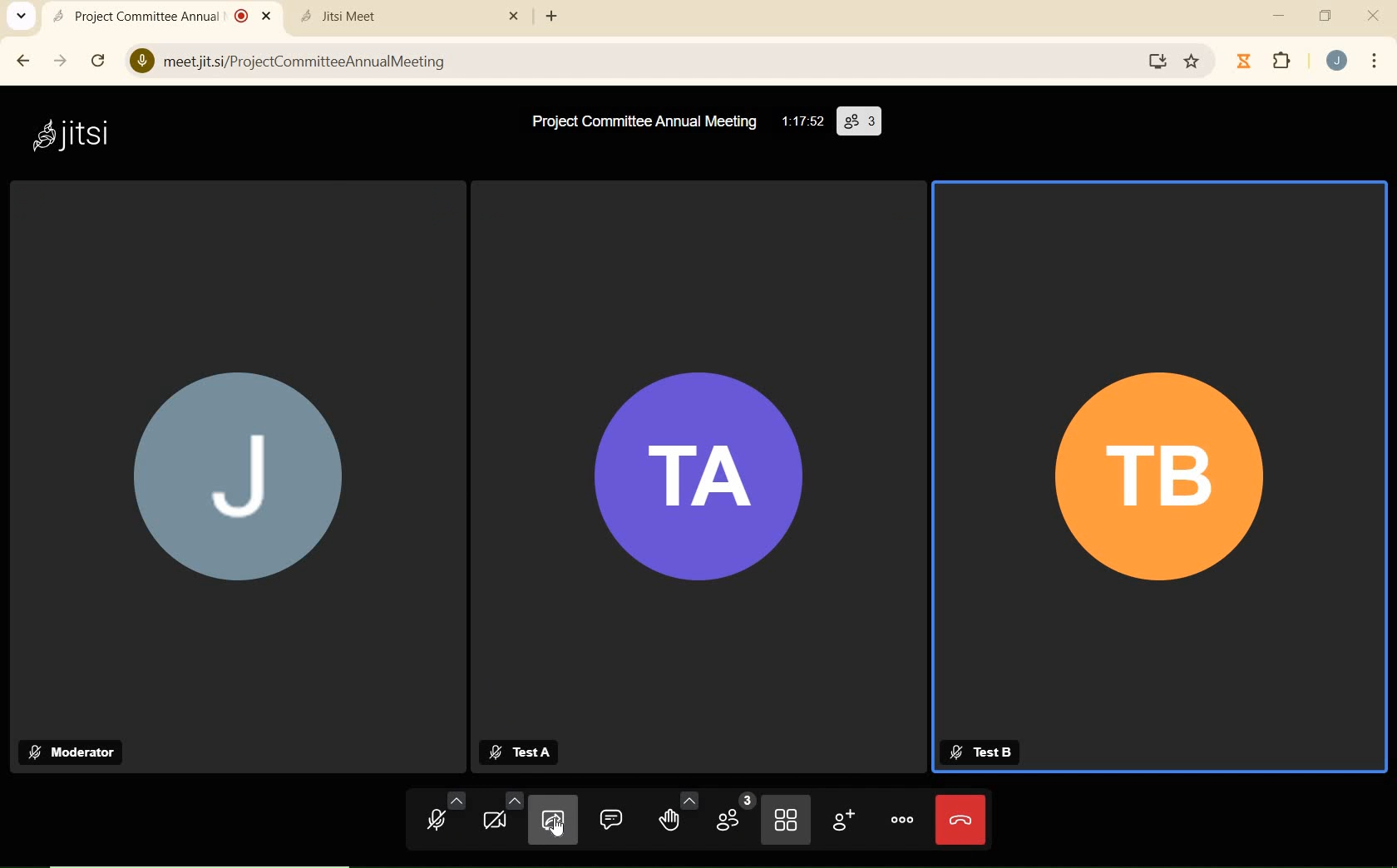  I want to click on TB, so click(1148, 464).